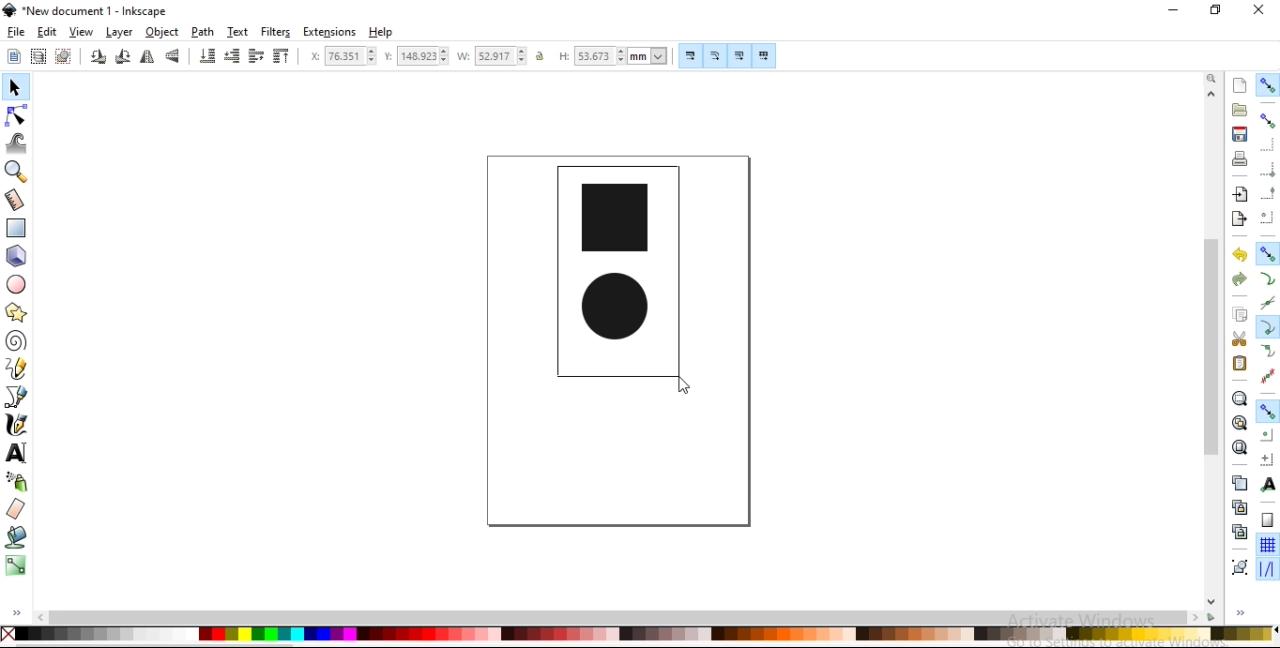 This screenshot has width=1280, height=648. What do you see at coordinates (1237, 533) in the screenshot?
I see `cut selected clone` at bounding box center [1237, 533].